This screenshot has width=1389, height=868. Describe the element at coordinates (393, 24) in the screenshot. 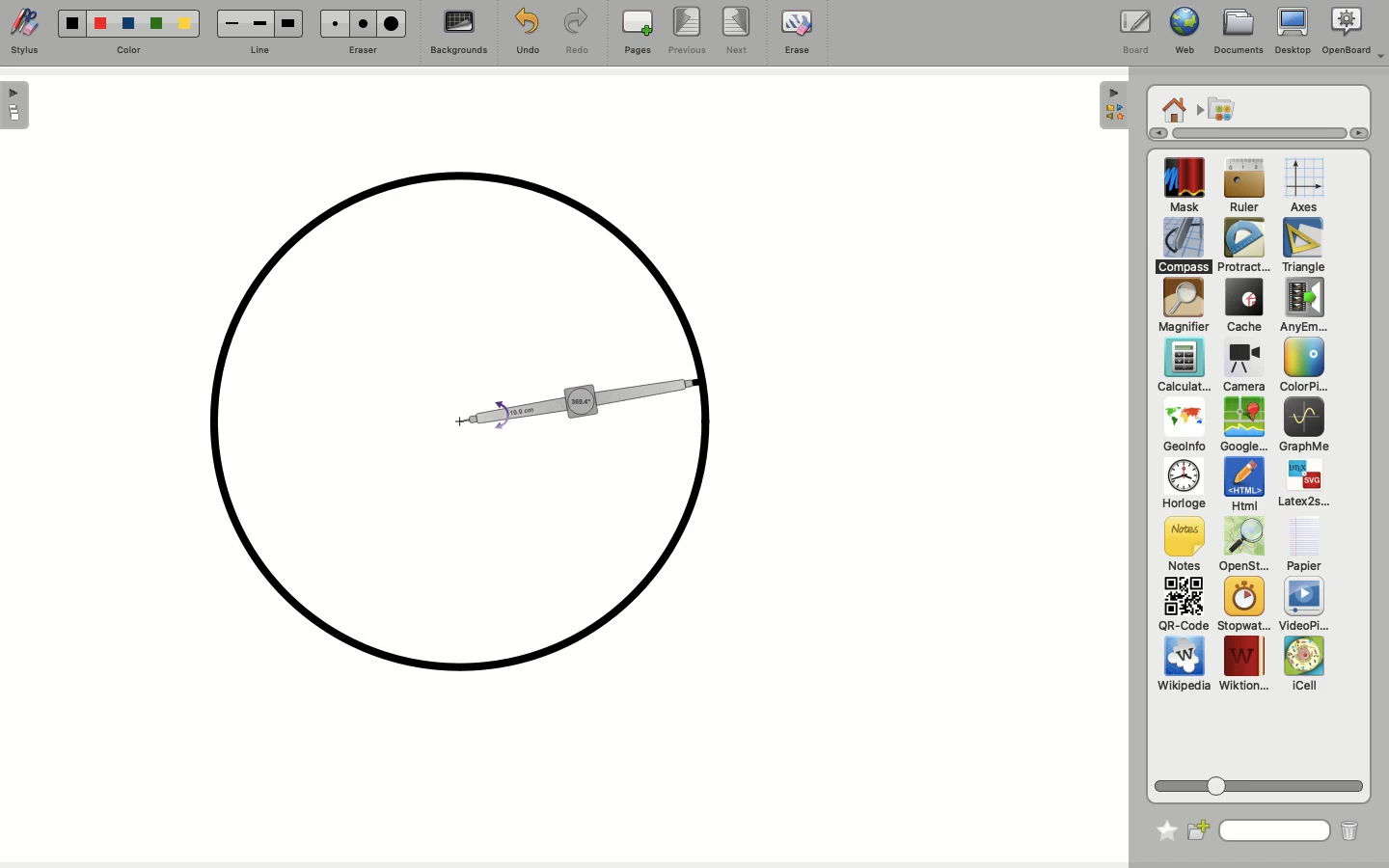

I see `eraser3` at that location.